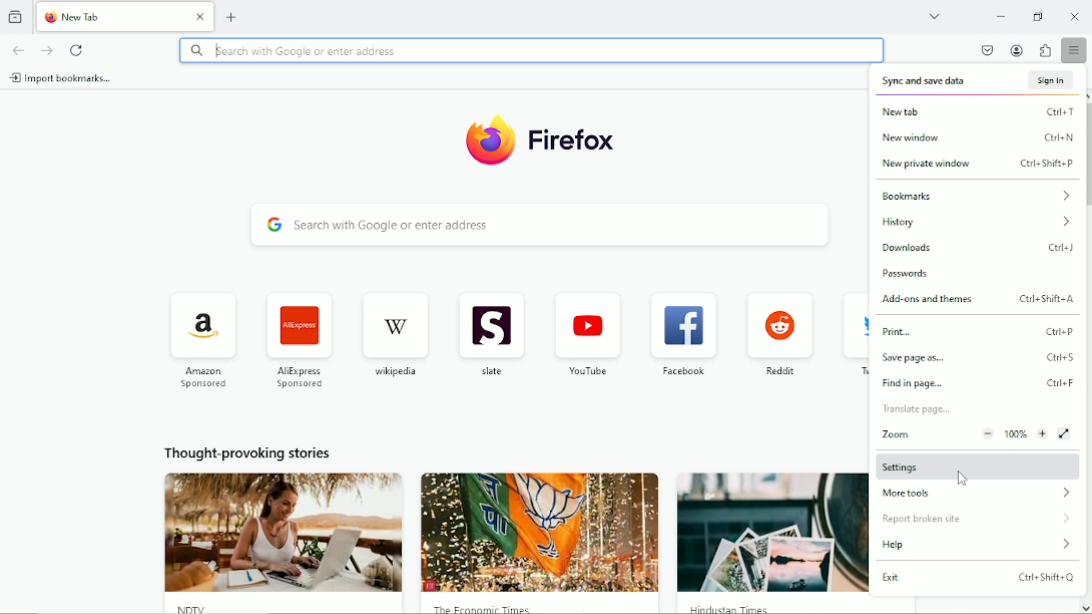 Image resolution: width=1092 pixels, height=614 pixels. I want to click on import bookmarks, so click(63, 78).